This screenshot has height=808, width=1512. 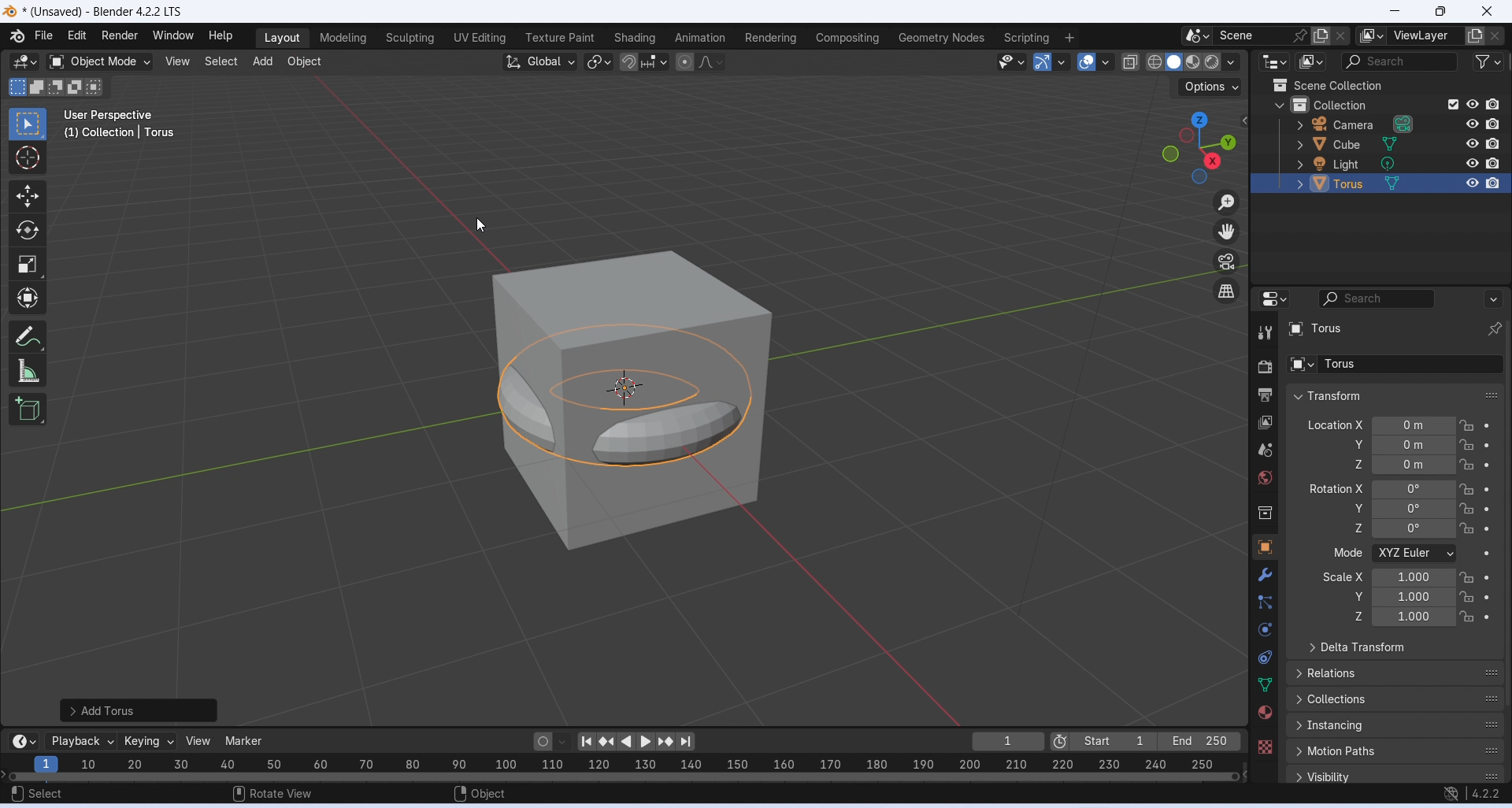 What do you see at coordinates (272, 792) in the screenshot?
I see `rotate view` at bounding box center [272, 792].